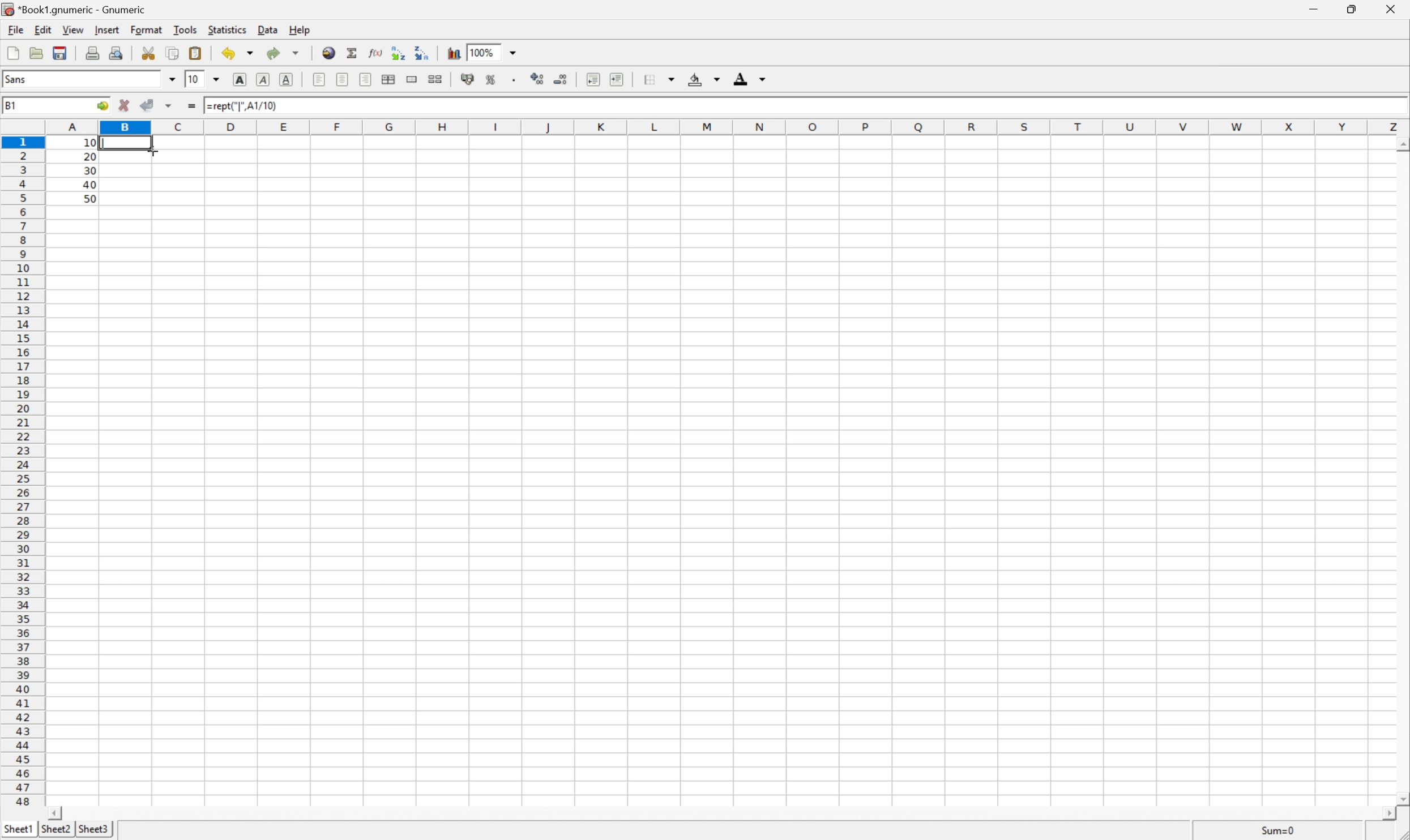  What do you see at coordinates (194, 79) in the screenshot?
I see `10` at bounding box center [194, 79].